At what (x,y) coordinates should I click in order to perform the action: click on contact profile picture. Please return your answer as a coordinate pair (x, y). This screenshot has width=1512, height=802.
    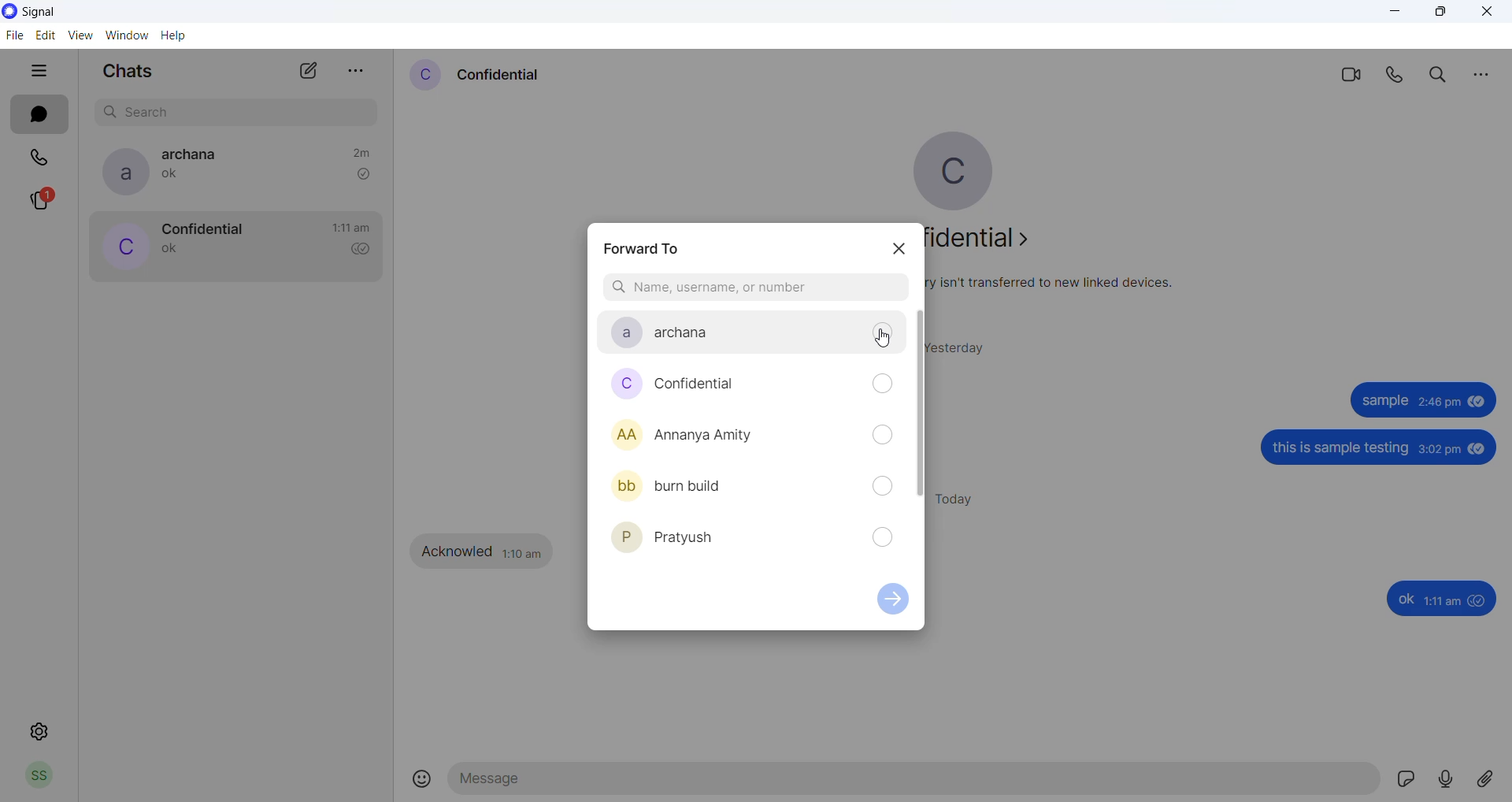
    Looking at the image, I should click on (424, 75).